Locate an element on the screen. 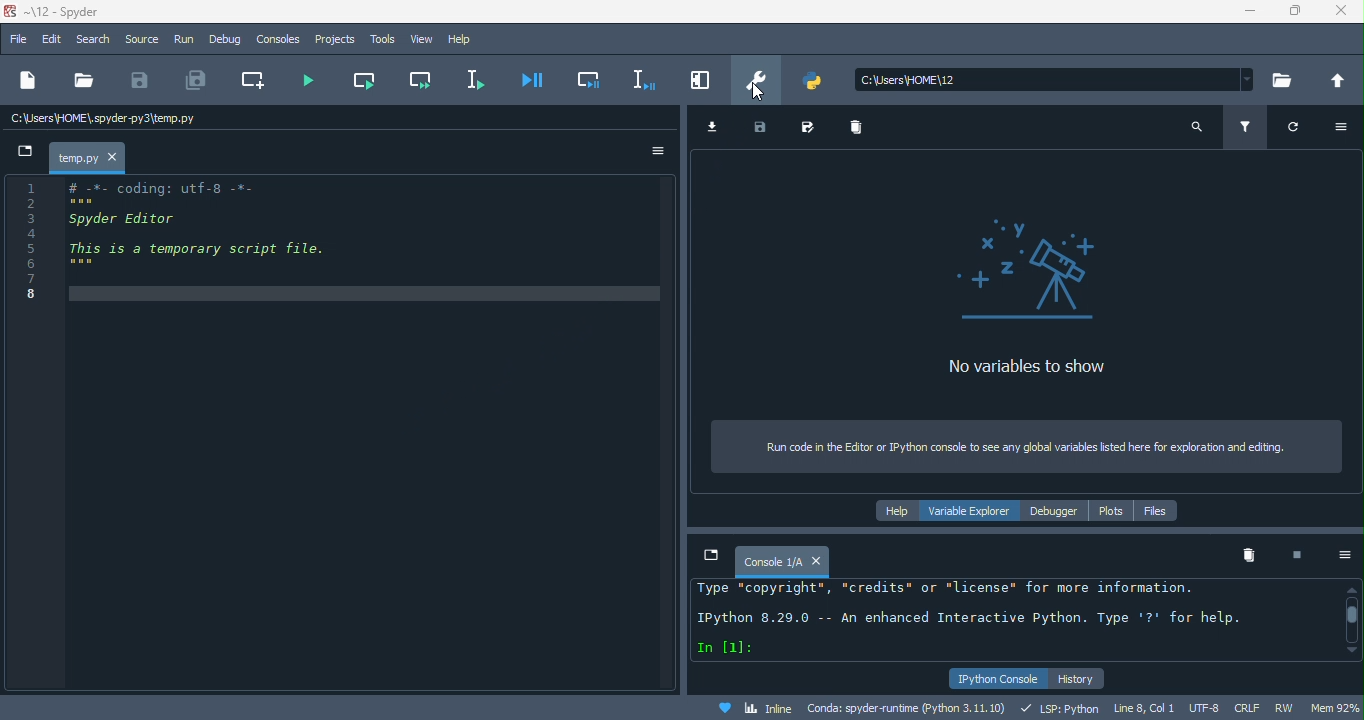 Image resolution: width=1364 pixels, height=720 pixels. no variables to show is located at coordinates (1040, 297).